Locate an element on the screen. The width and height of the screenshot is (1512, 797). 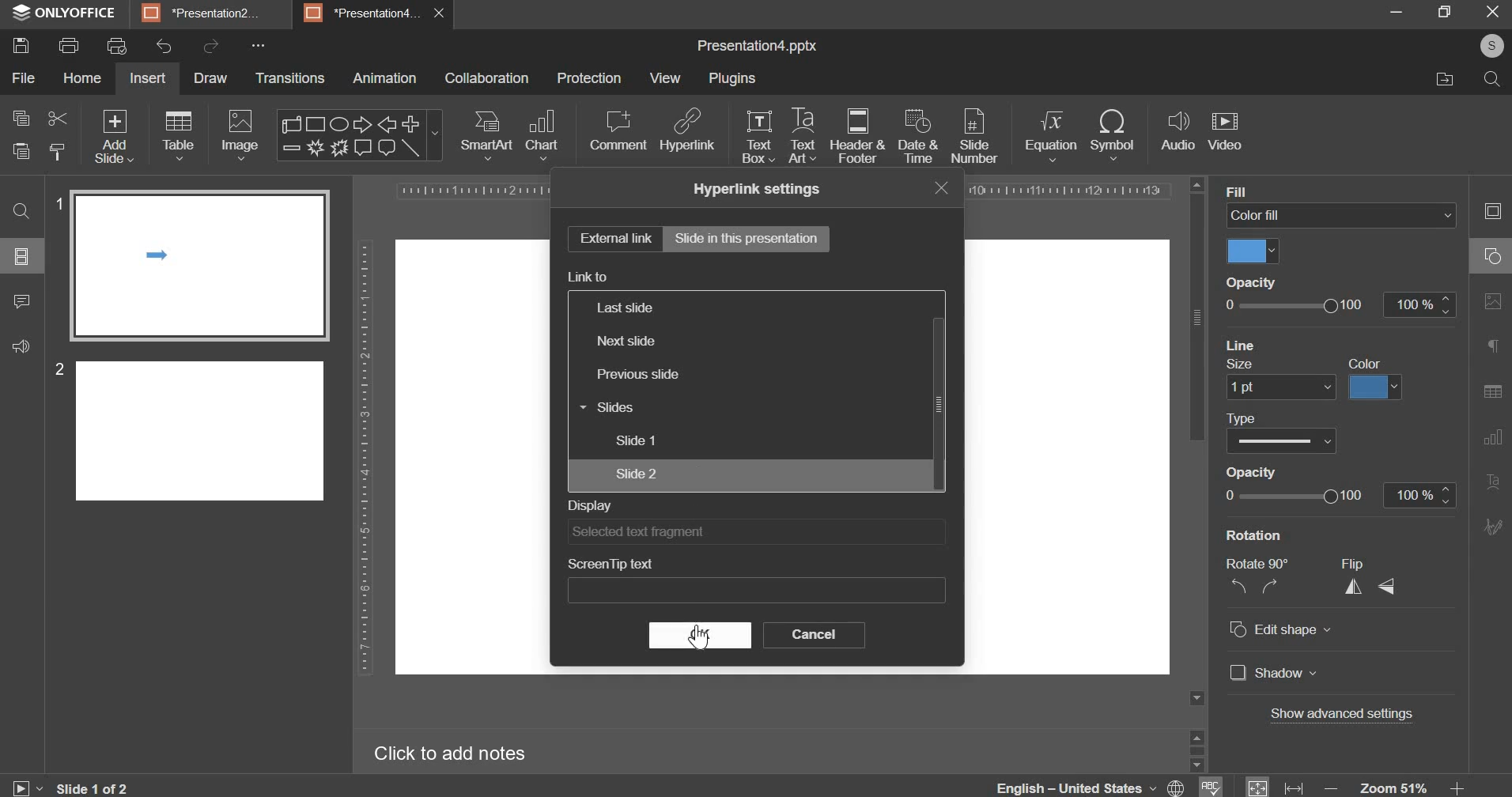
draw is located at coordinates (210, 77).